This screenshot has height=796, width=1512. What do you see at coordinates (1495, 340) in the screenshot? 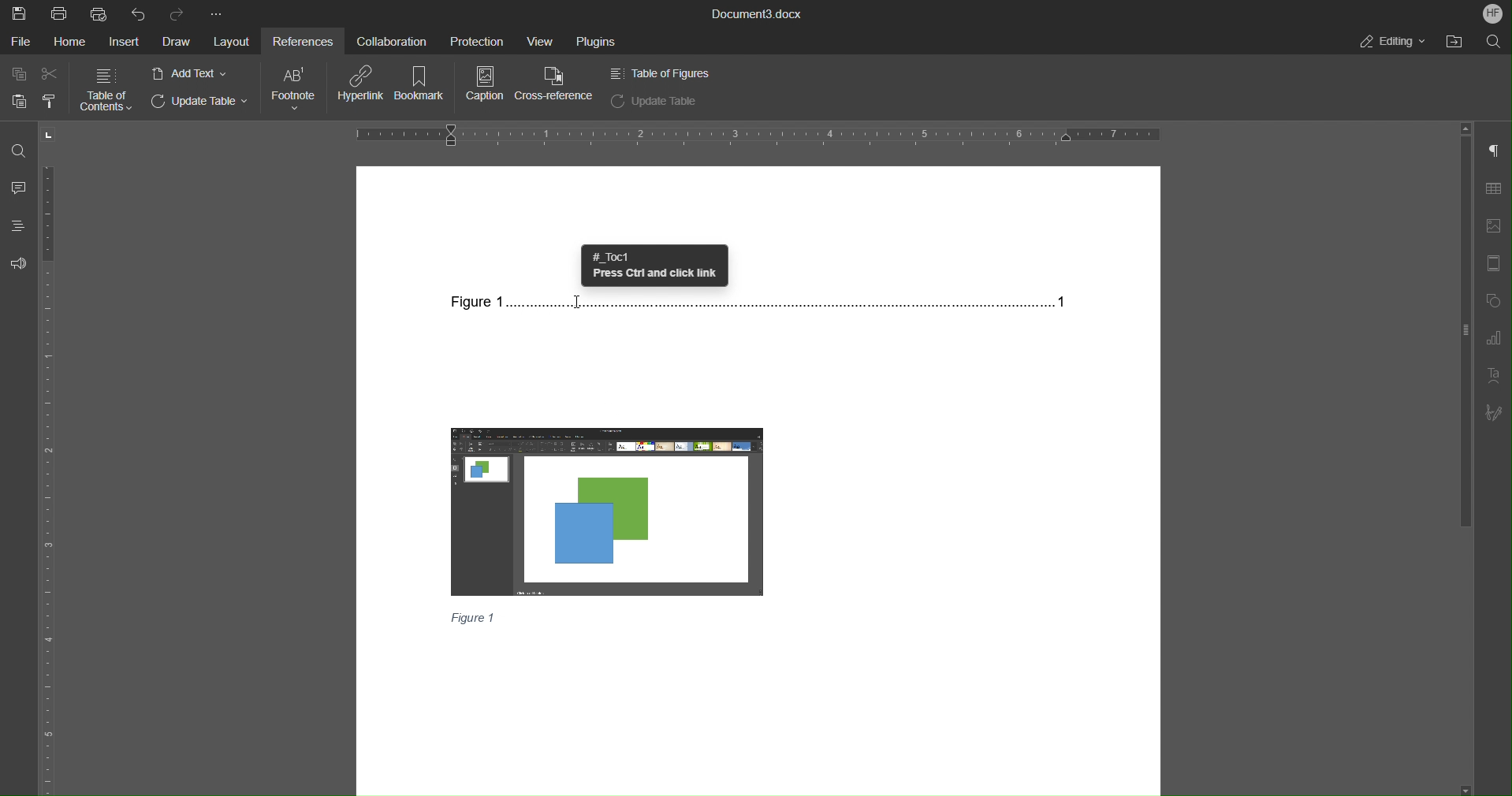
I see `Graph Settings` at bounding box center [1495, 340].